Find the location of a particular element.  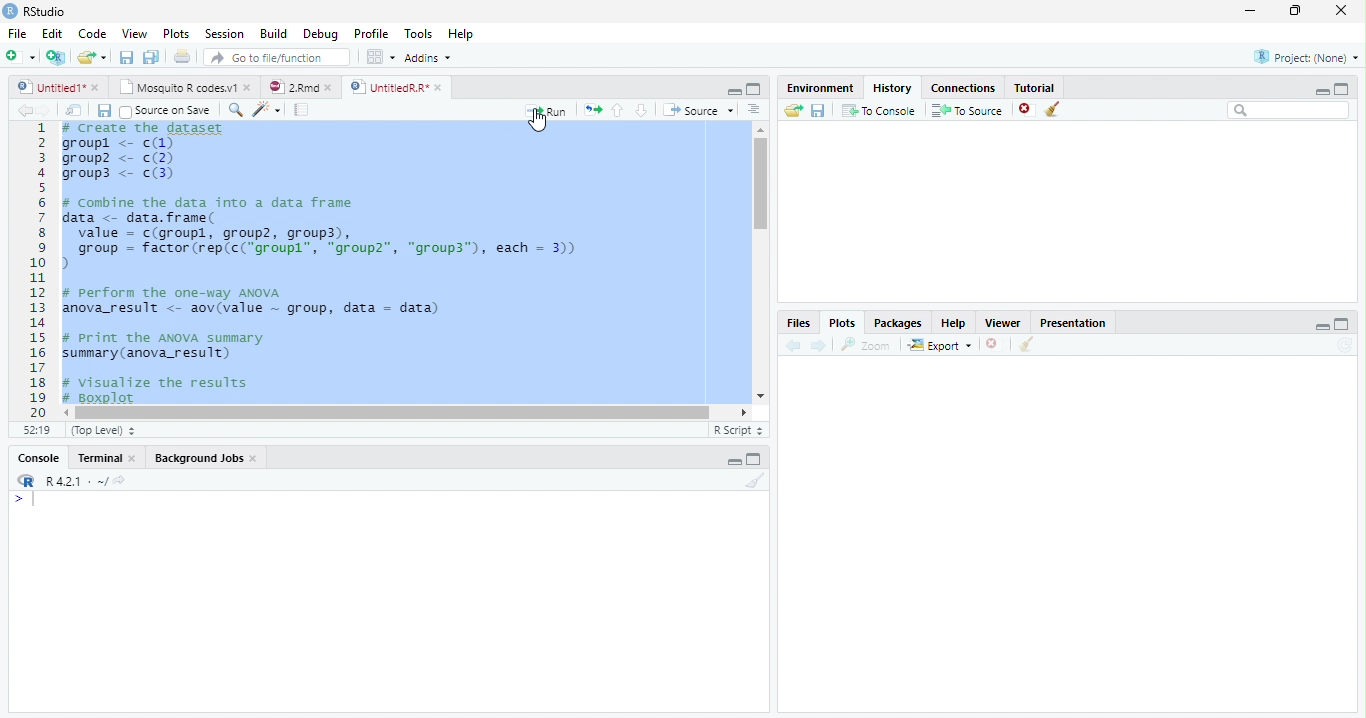

Addins is located at coordinates (429, 59).